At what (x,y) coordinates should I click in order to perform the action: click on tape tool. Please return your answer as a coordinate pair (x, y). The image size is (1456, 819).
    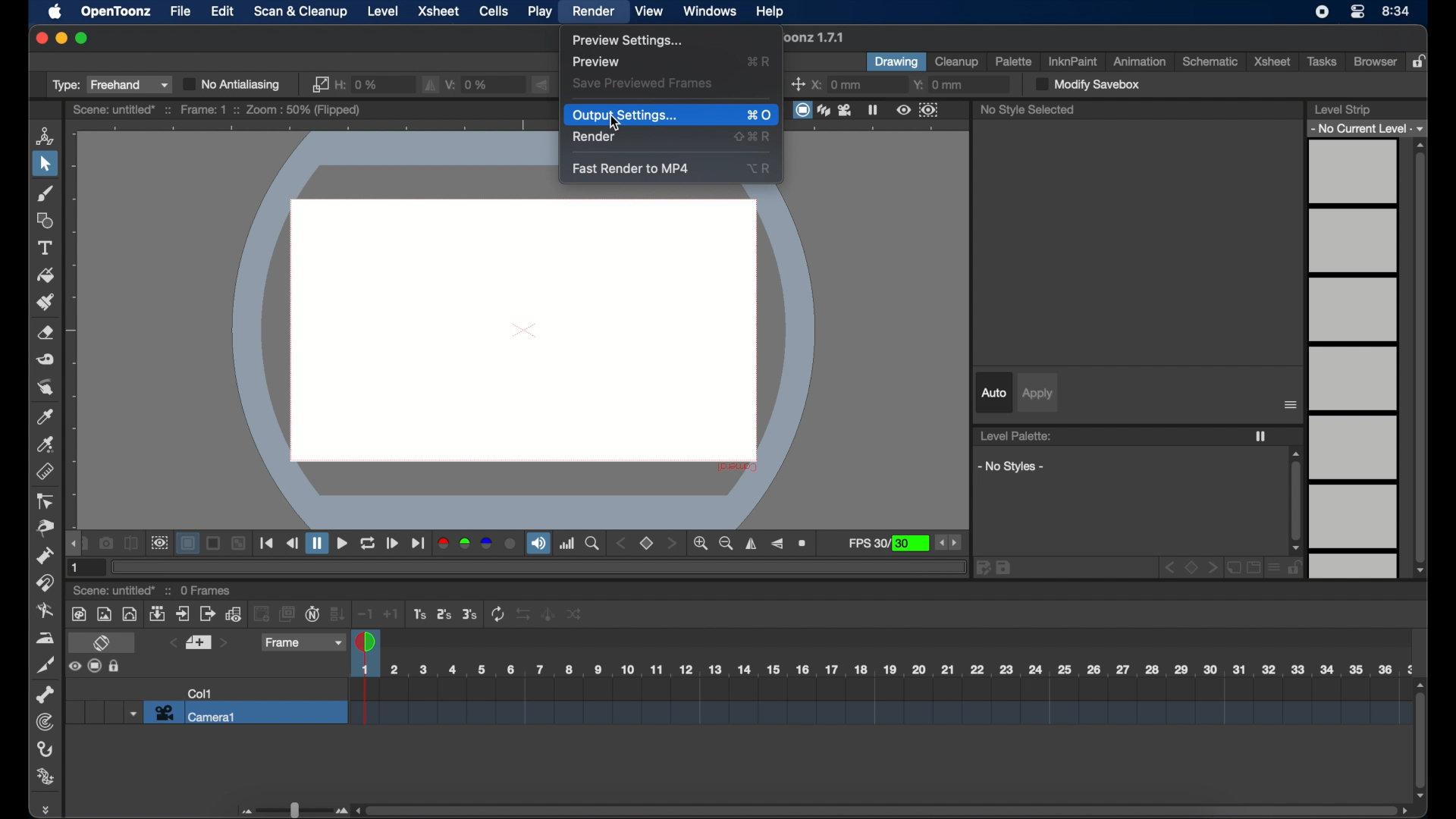
    Looking at the image, I should click on (46, 359).